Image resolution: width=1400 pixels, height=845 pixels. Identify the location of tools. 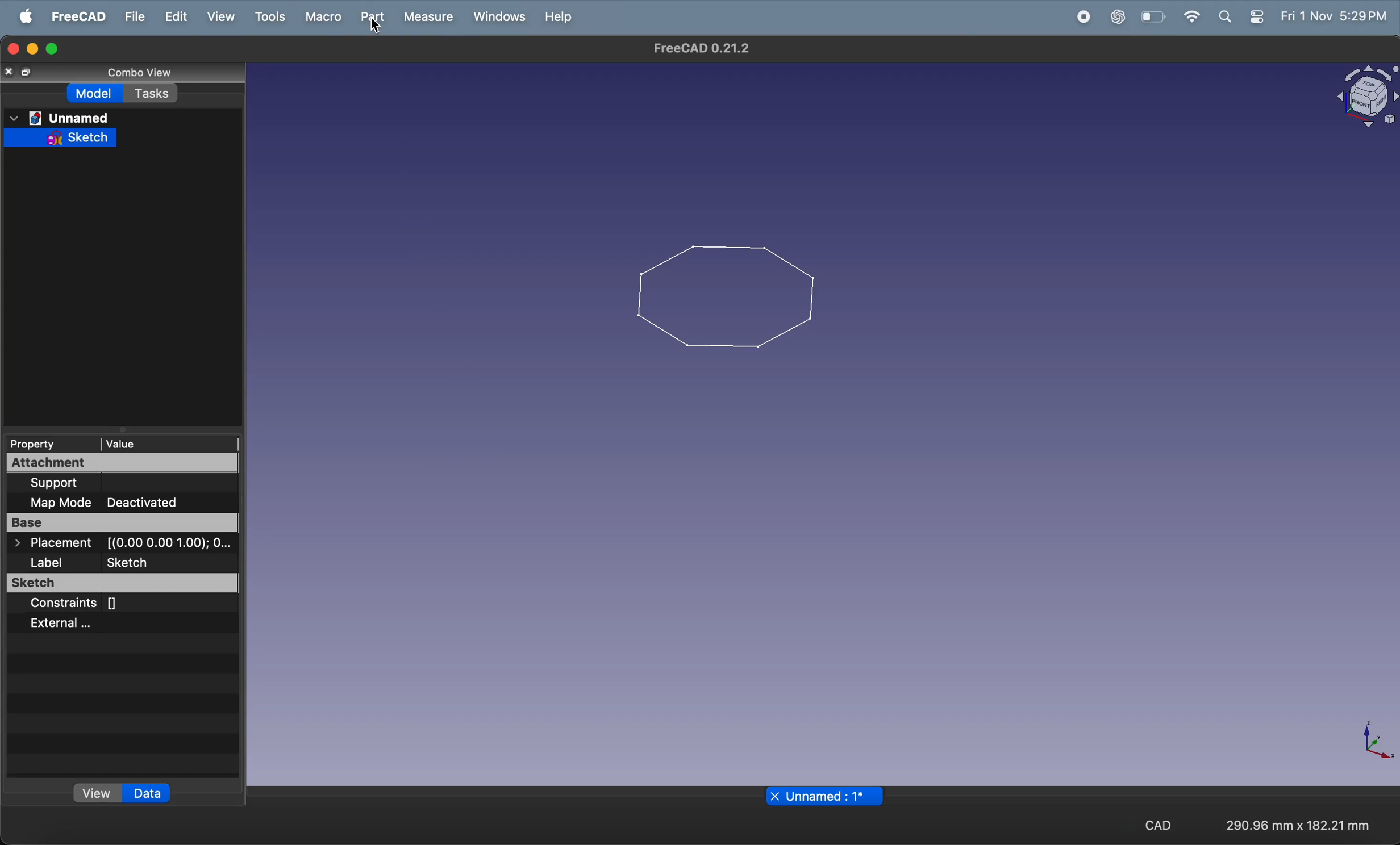
(268, 16).